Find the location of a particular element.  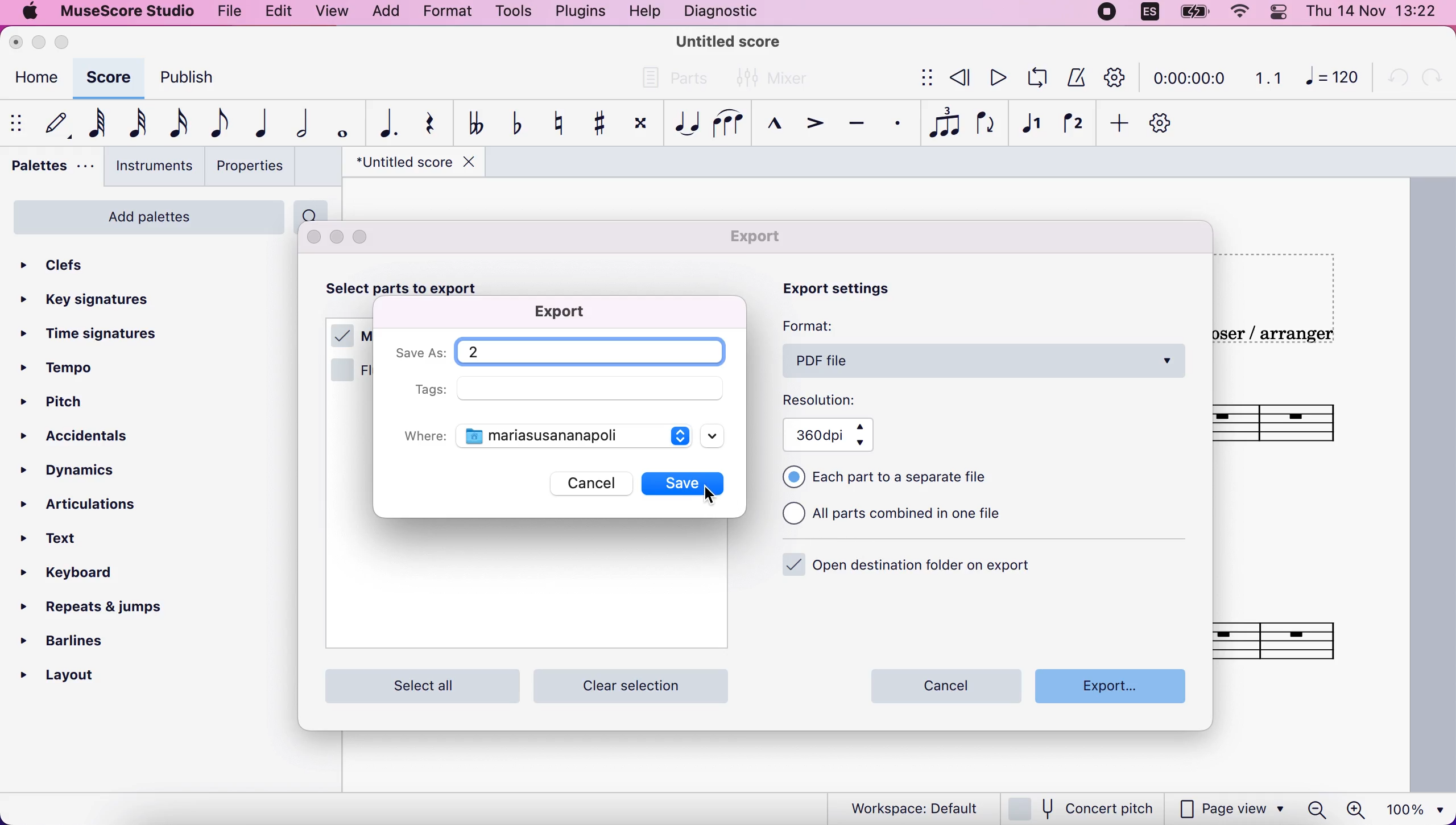

clefs is located at coordinates (71, 265).